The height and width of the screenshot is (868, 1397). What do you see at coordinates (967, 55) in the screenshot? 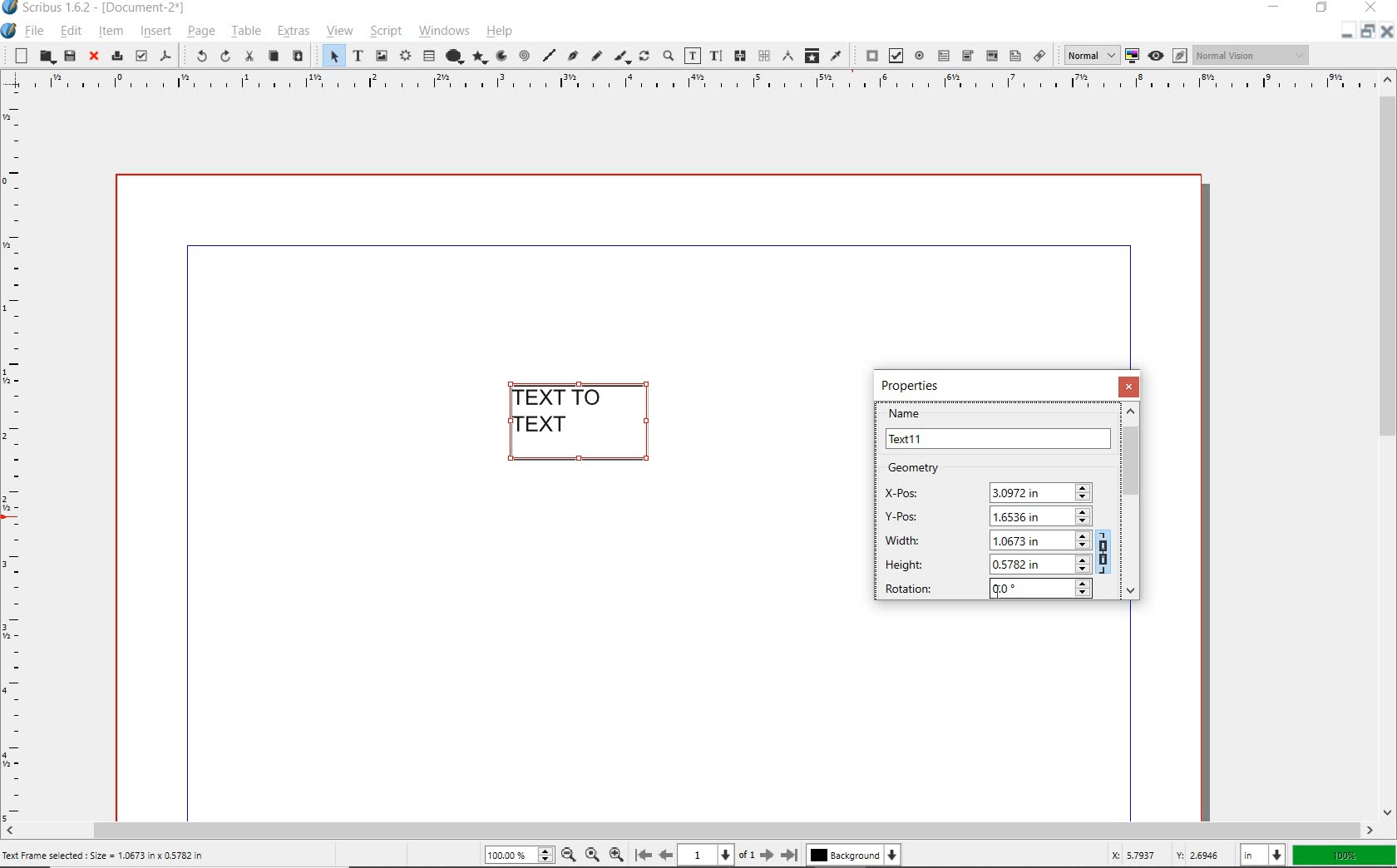
I see `pdf combo box` at bounding box center [967, 55].